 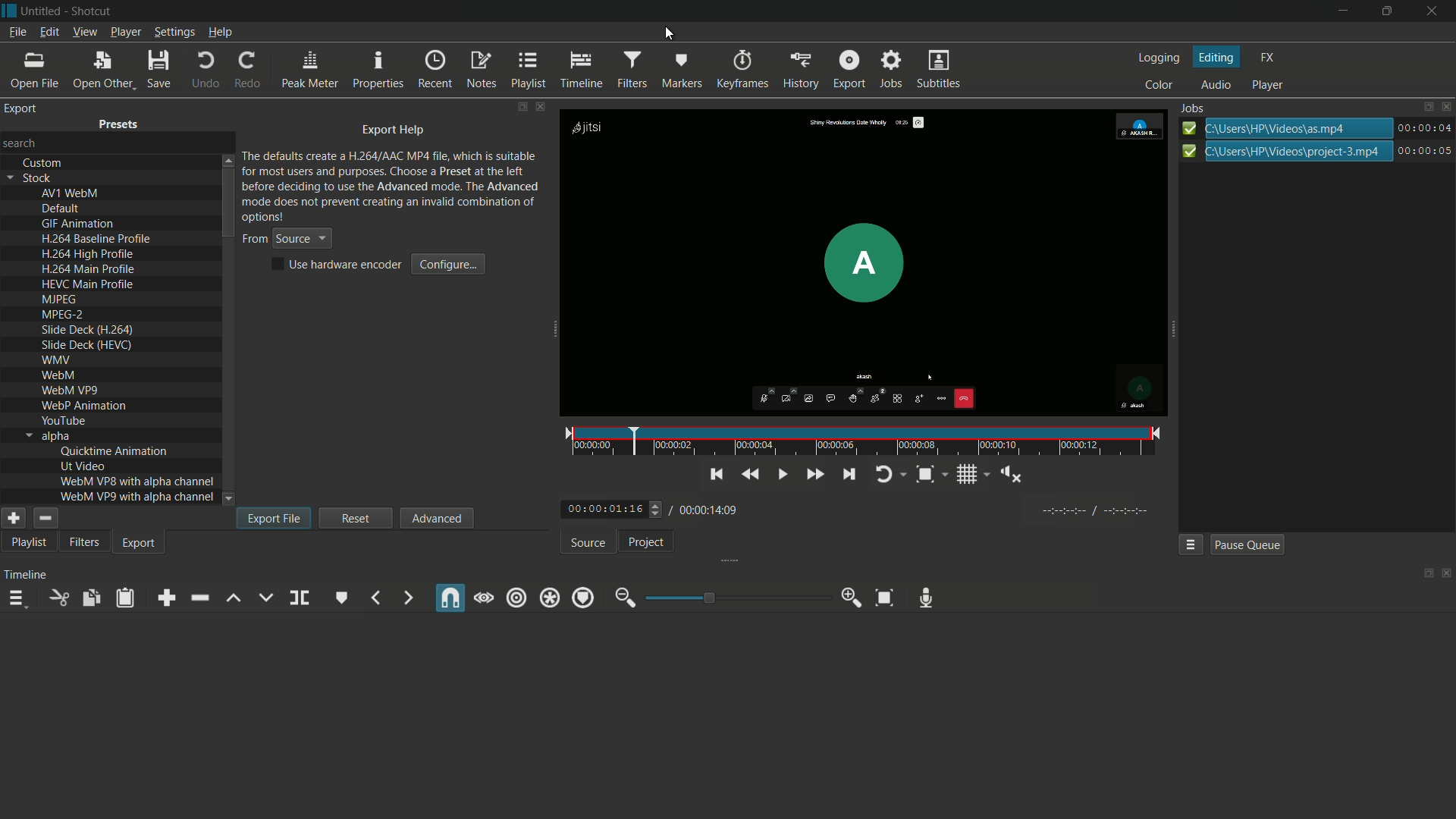 I want to click on add export preset, so click(x=14, y=519).